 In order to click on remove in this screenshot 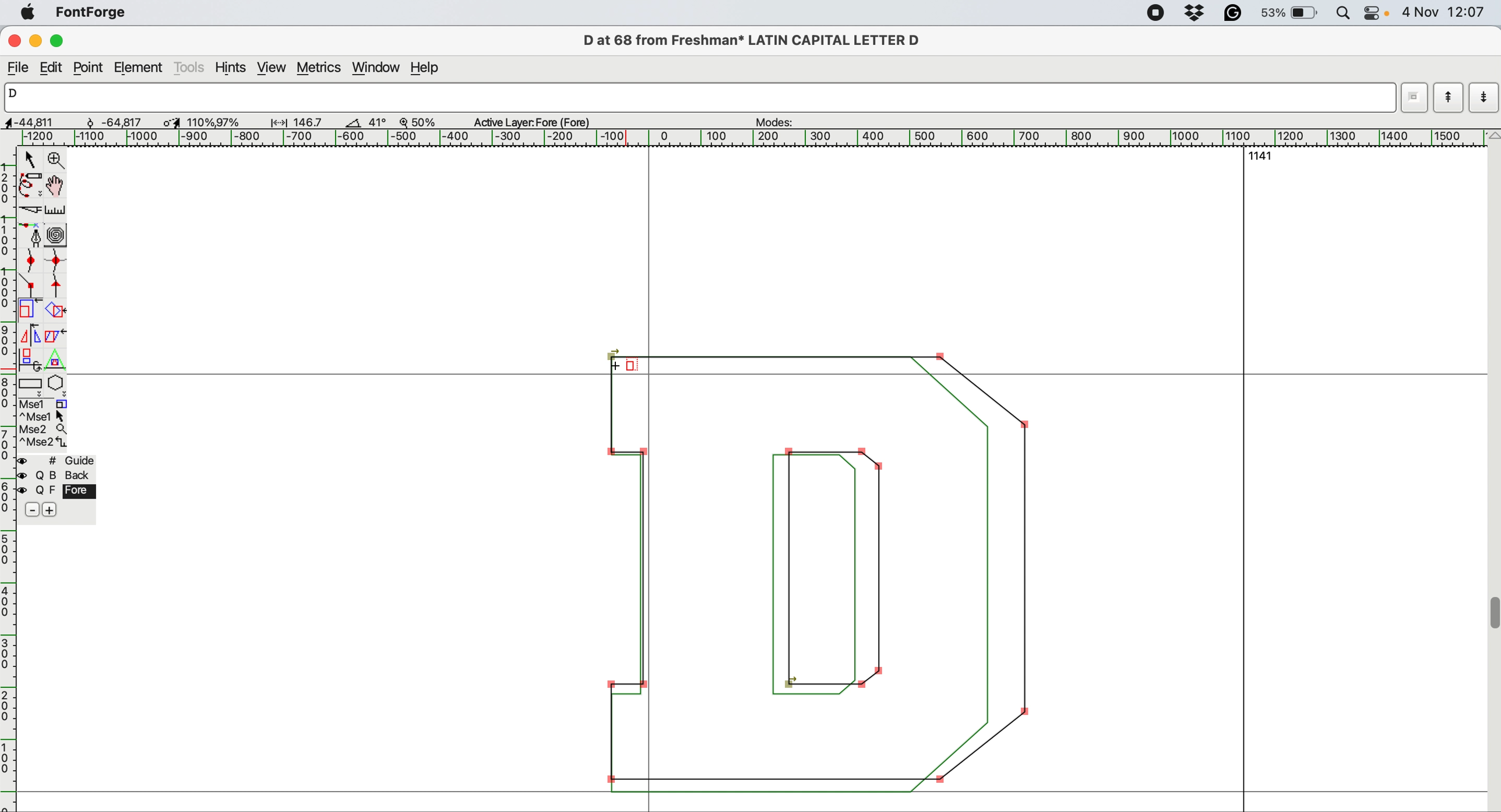, I will do `click(29, 510)`.